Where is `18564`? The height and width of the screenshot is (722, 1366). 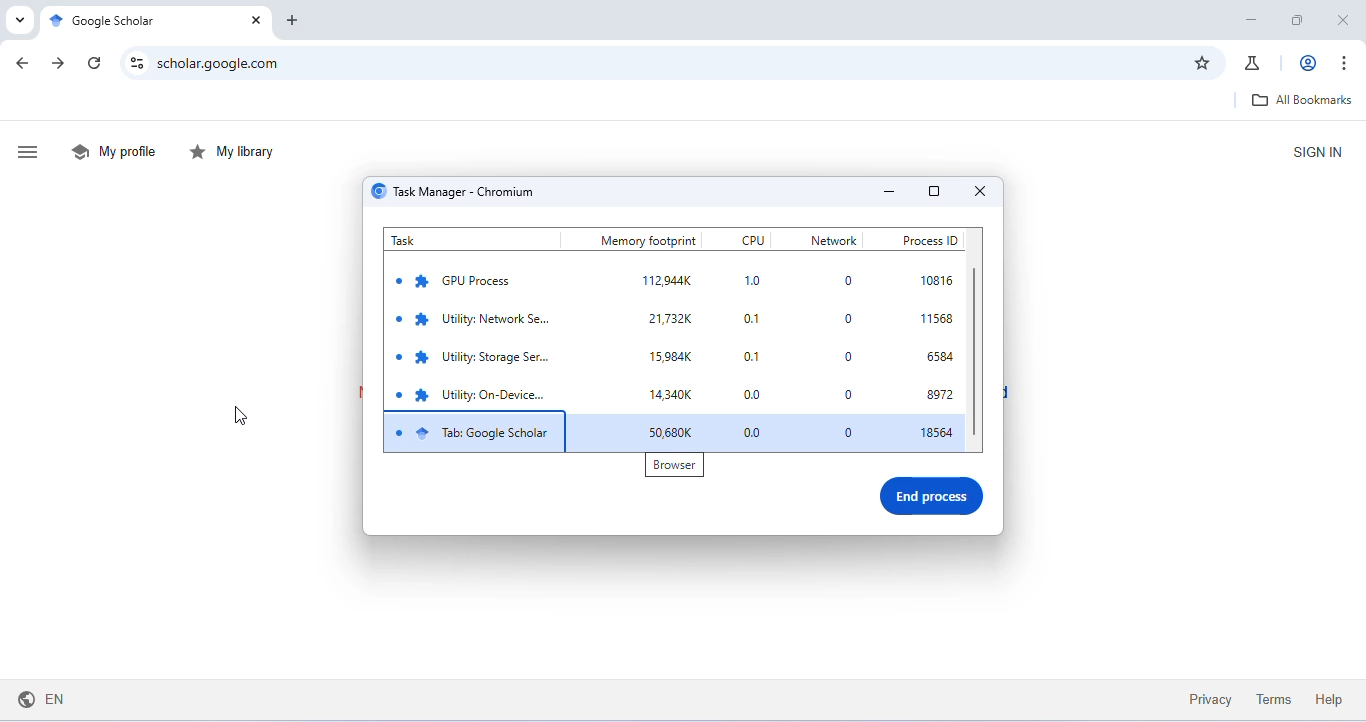 18564 is located at coordinates (937, 433).